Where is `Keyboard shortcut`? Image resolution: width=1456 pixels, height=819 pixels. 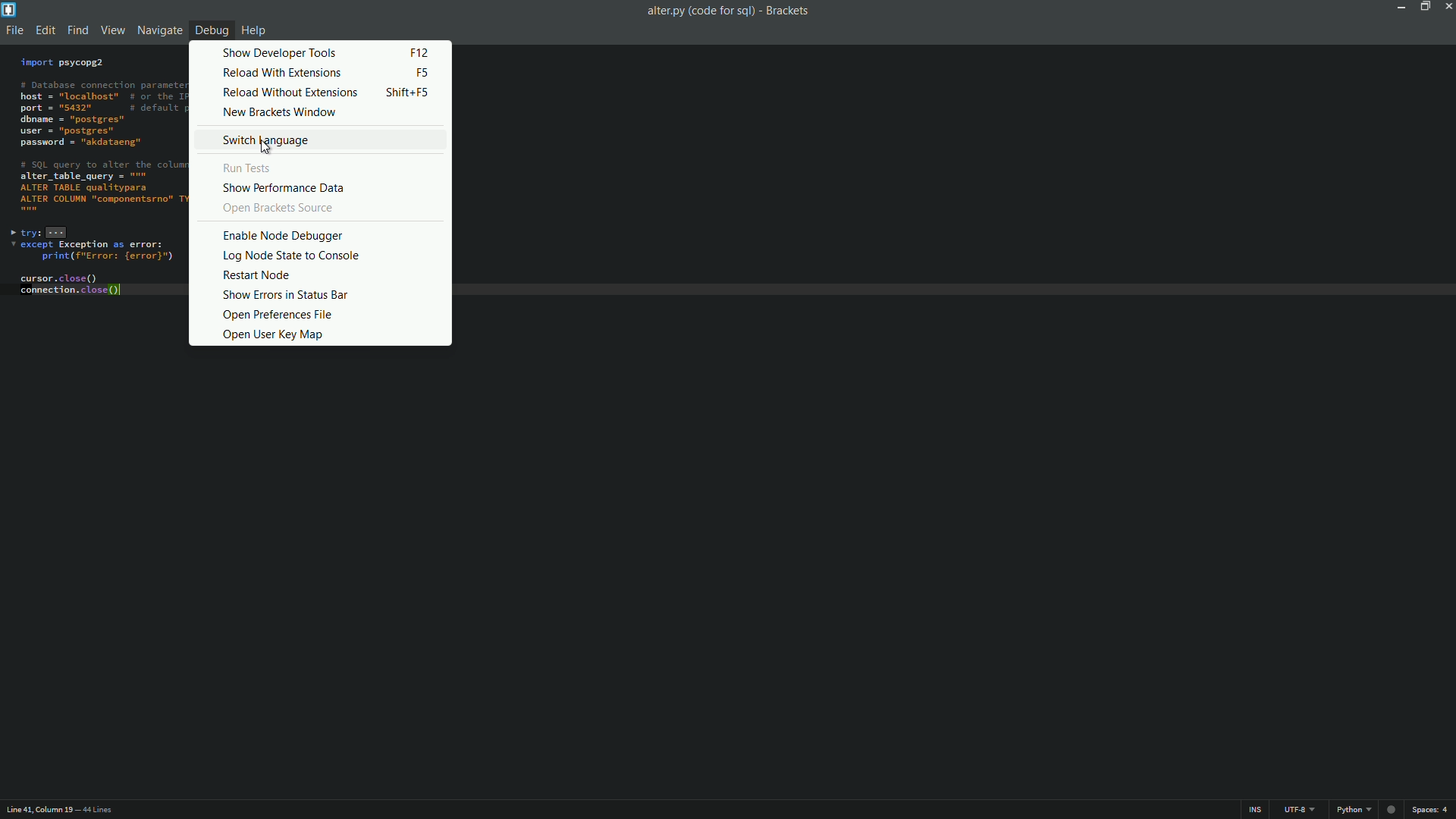 Keyboard shortcut is located at coordinates (411, 93).